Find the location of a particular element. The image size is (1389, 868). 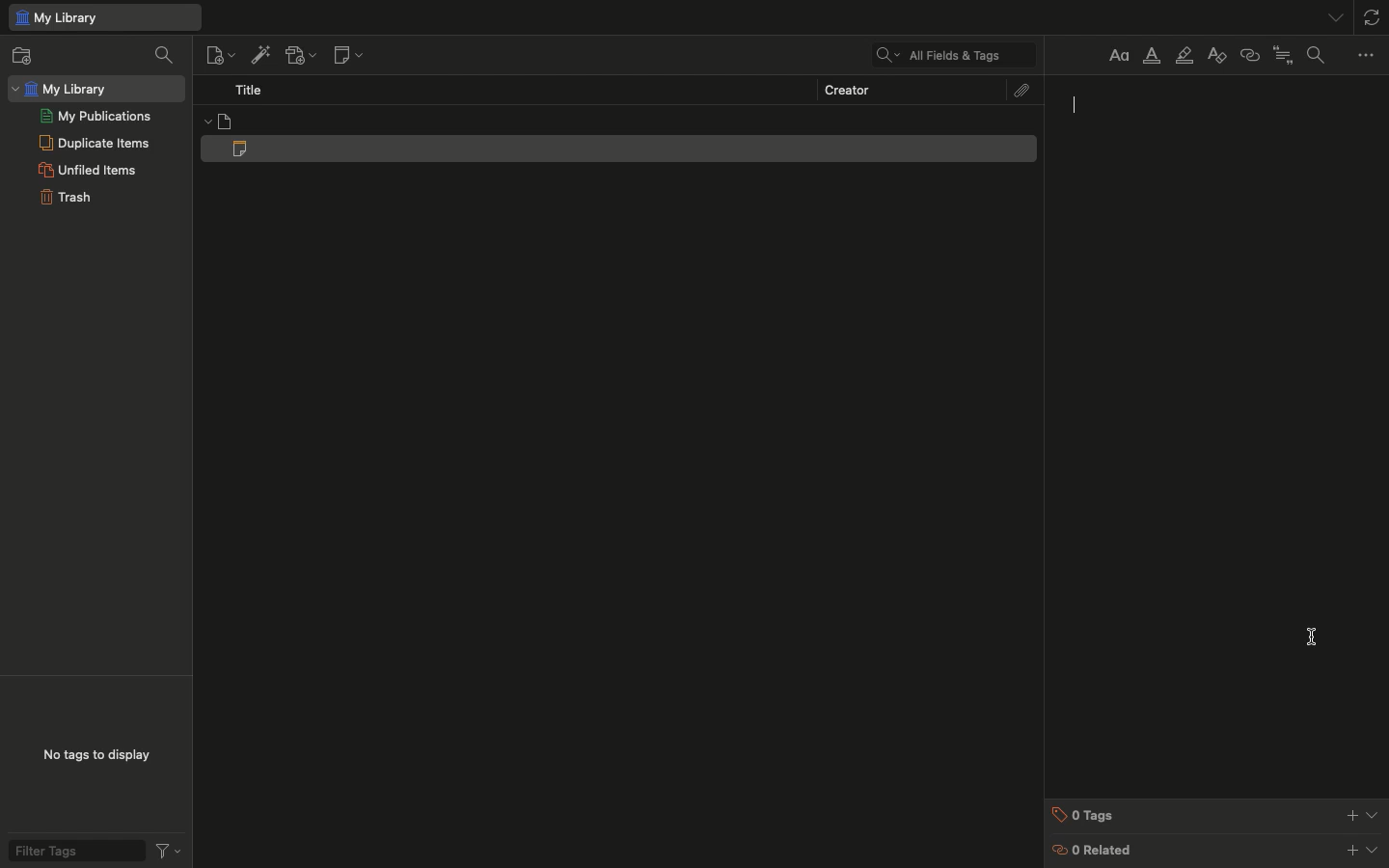

Title is located at coordinates (249, 90).